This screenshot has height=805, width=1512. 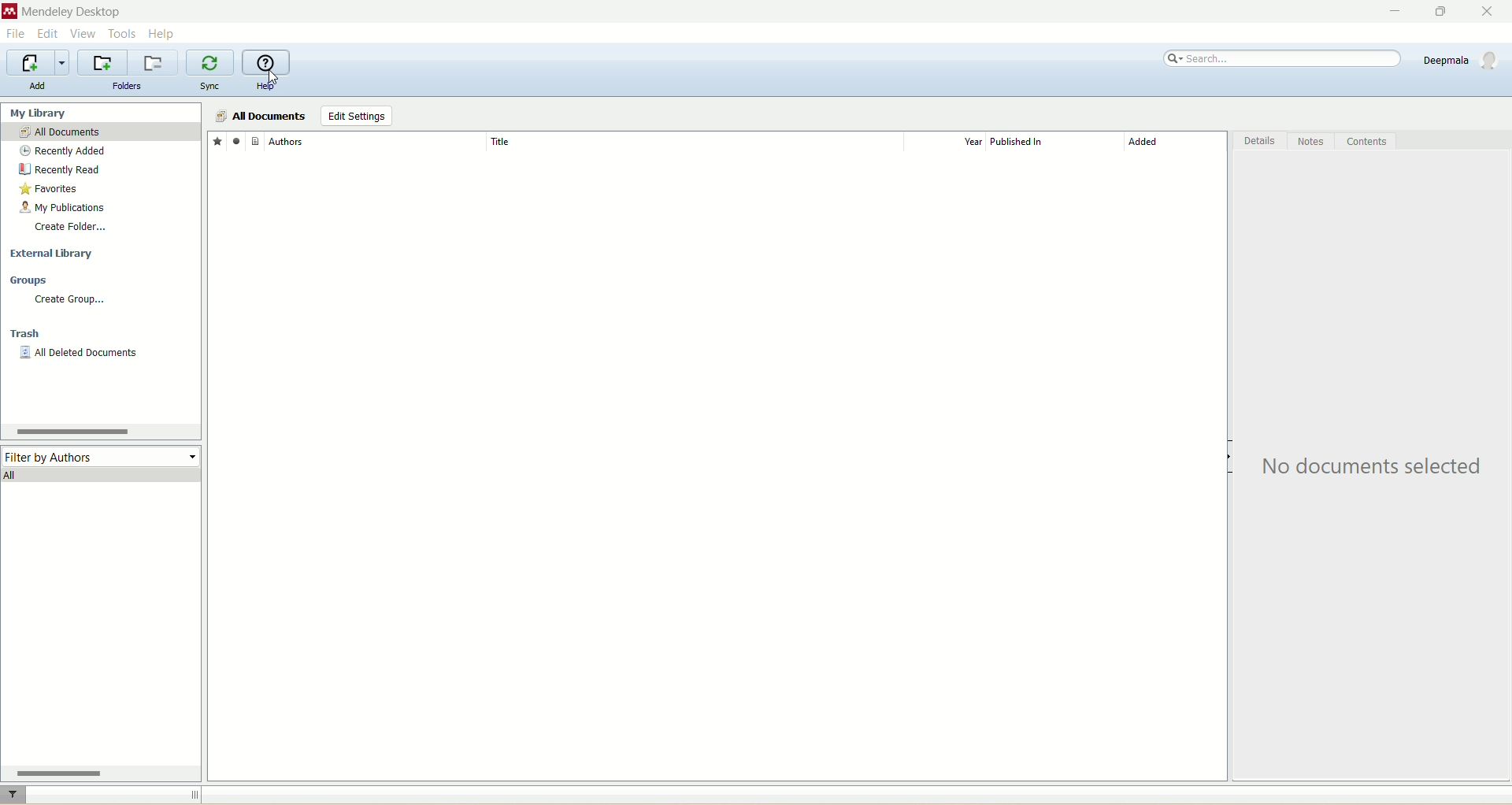 What do you see at coordinates (101, 773) in the screenshot?
I see `horizontal scroll bar` at bounding box center [101, 773].